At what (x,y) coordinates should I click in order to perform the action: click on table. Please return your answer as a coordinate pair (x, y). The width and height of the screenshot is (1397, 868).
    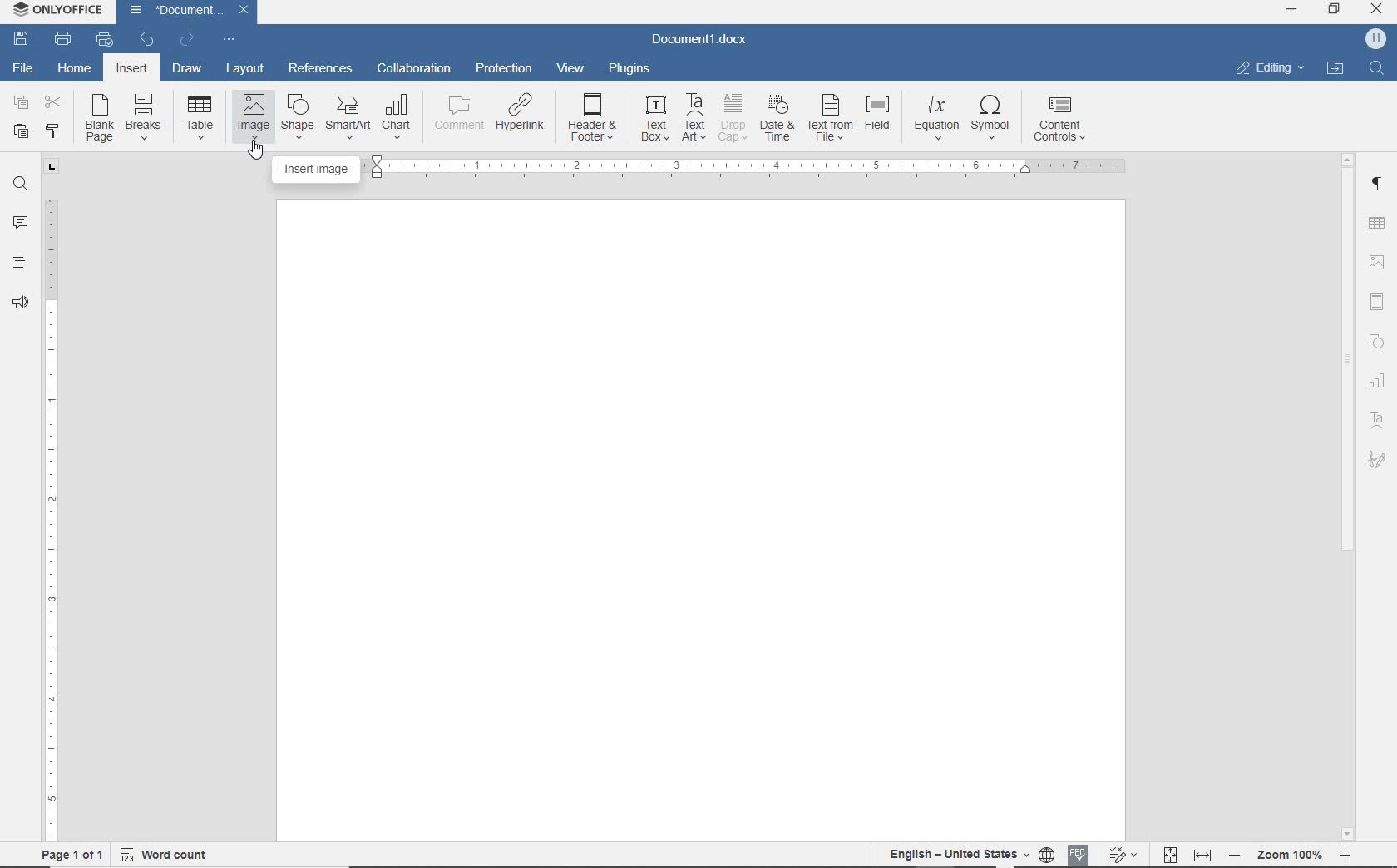
    Looking at the image, I should click on (201, 119).